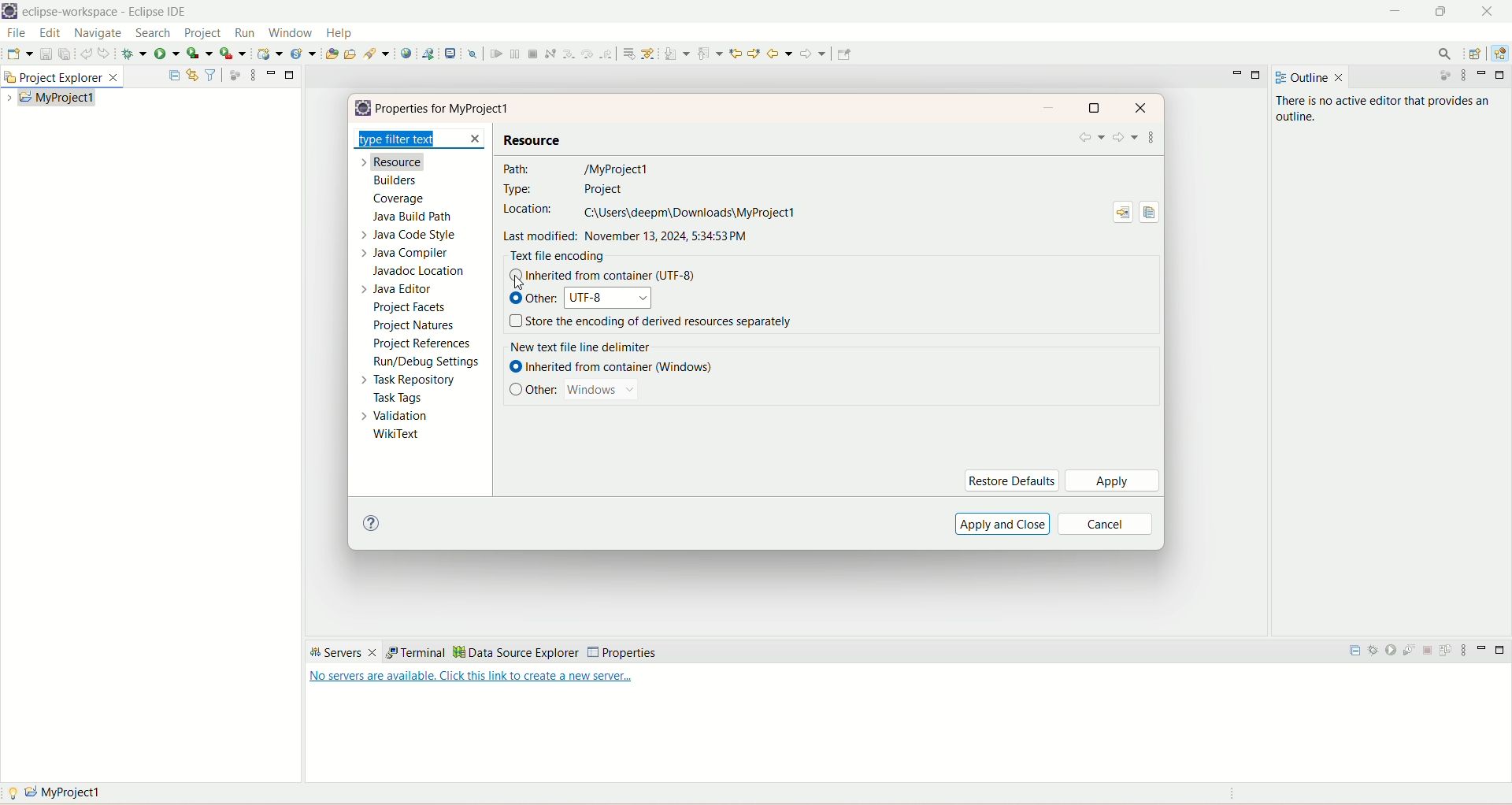  What do you see at coordinates (550, 53) in the screenshot?
I see `disconnect` at bounding box center [550, 53].